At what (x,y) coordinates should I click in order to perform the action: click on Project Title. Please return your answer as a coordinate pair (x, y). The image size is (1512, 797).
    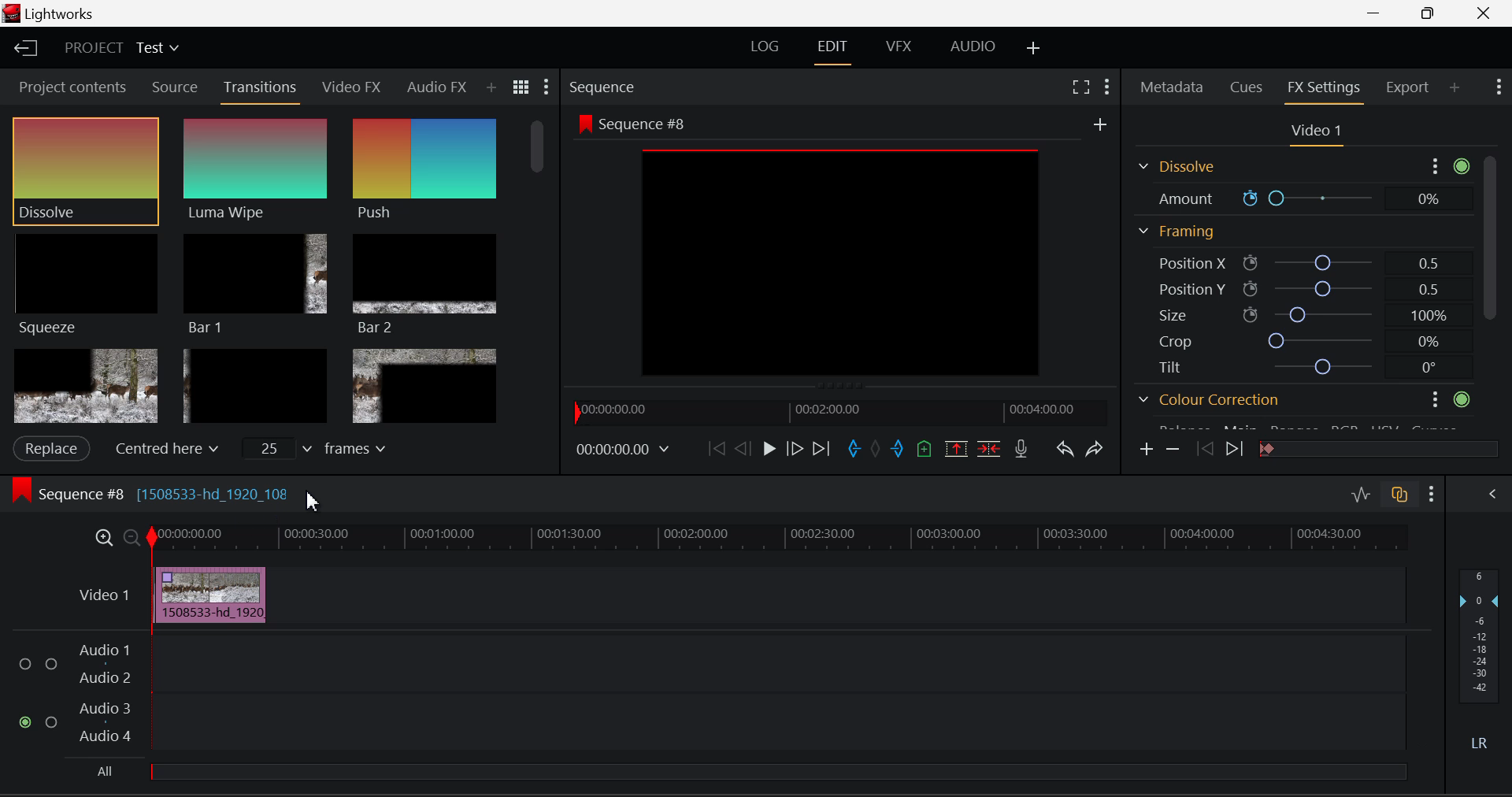
    Looking at the image, I should click on (120, 48).